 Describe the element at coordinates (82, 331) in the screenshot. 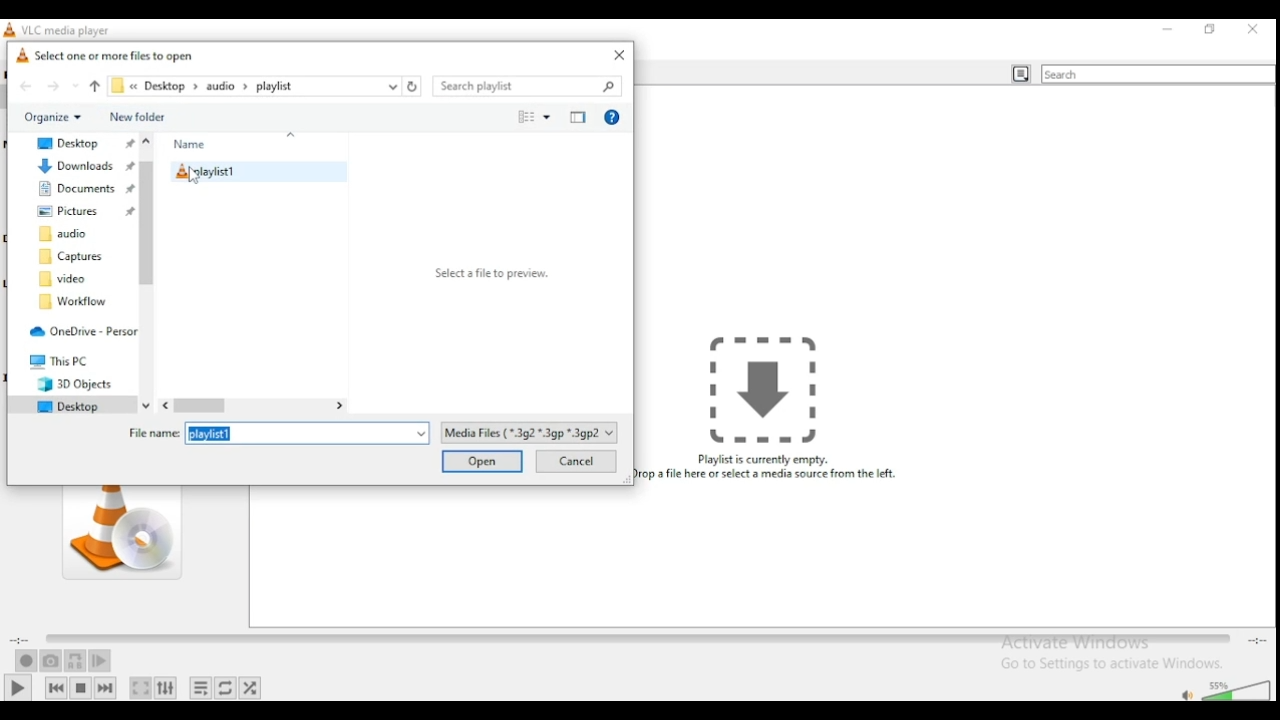

I see `one drive` at that location.